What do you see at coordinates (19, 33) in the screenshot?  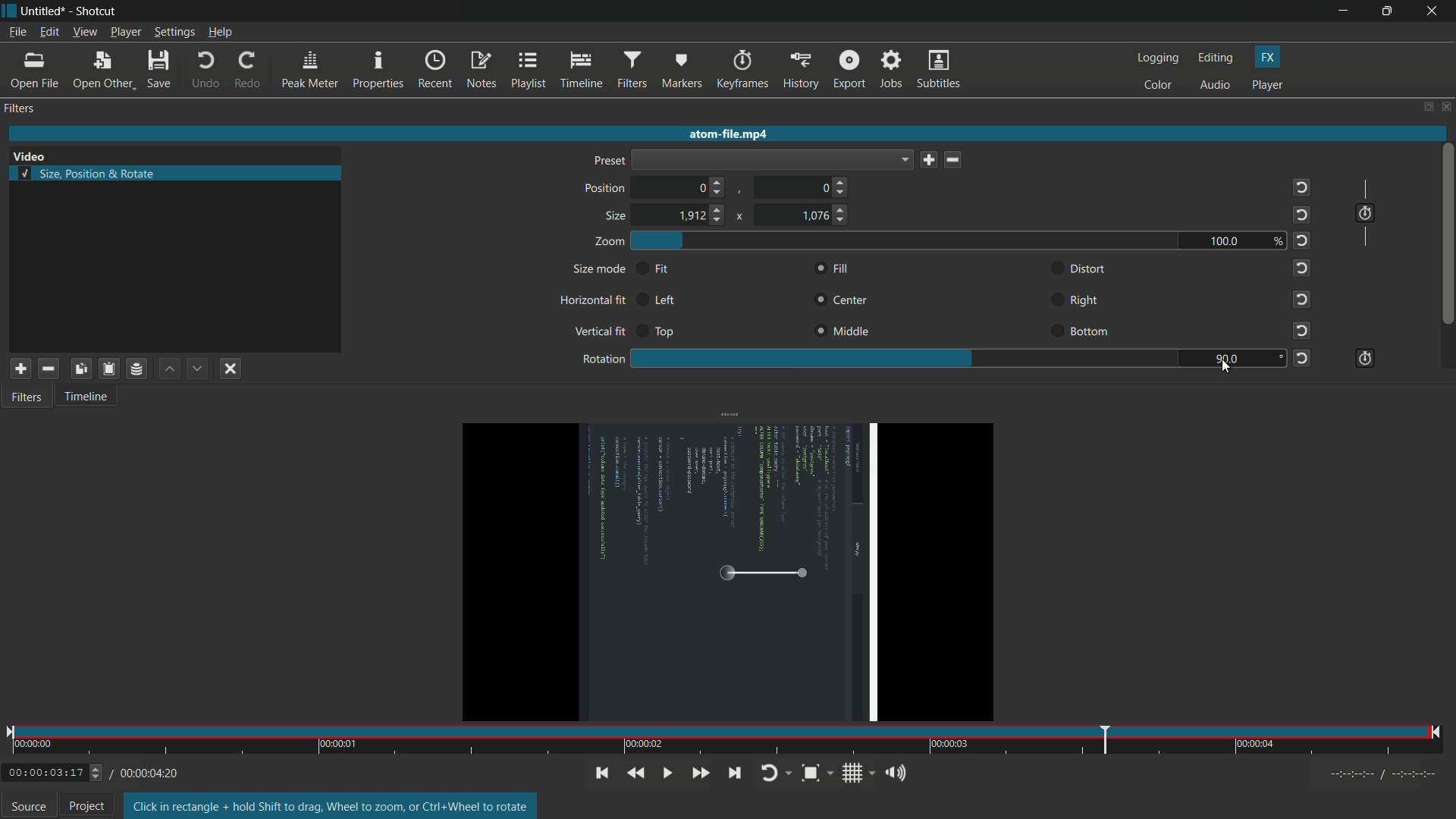 I see `file menu` at bounding box center [19, 33].